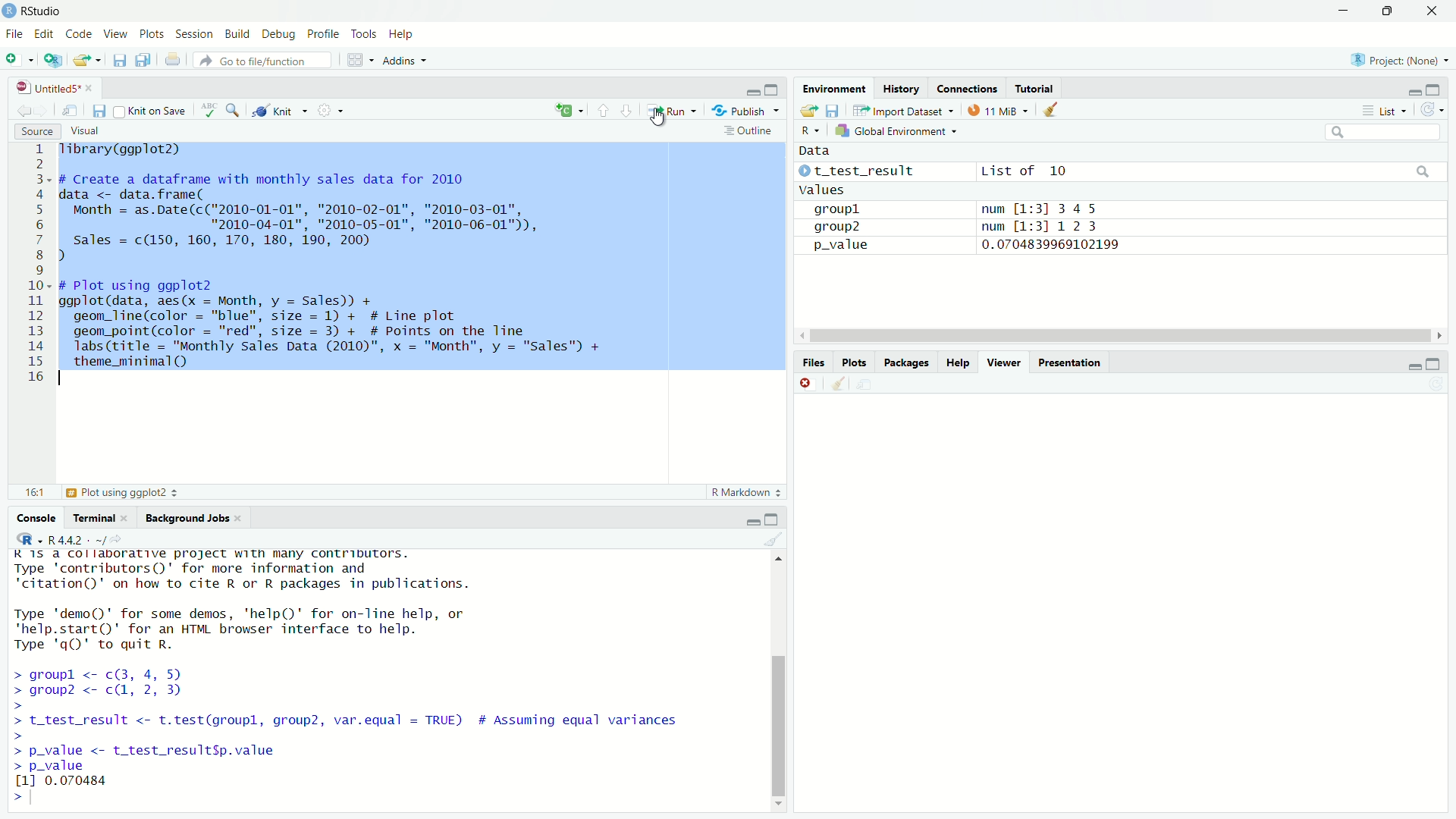  What do you see at coordinates (962, 244) in the screenshot?
I see `p_value 0.0704839969102199` at bounding box center [962, 244].